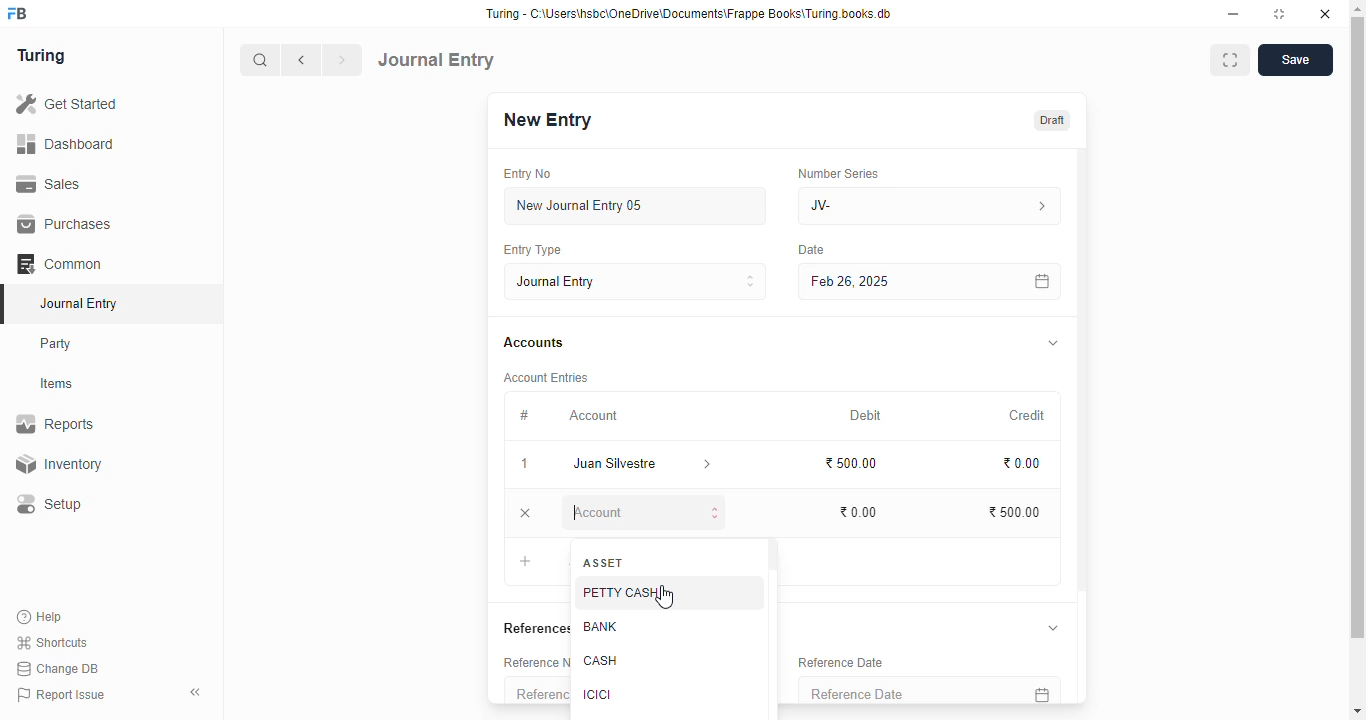  I want to click on entry type, so click(530, 250).